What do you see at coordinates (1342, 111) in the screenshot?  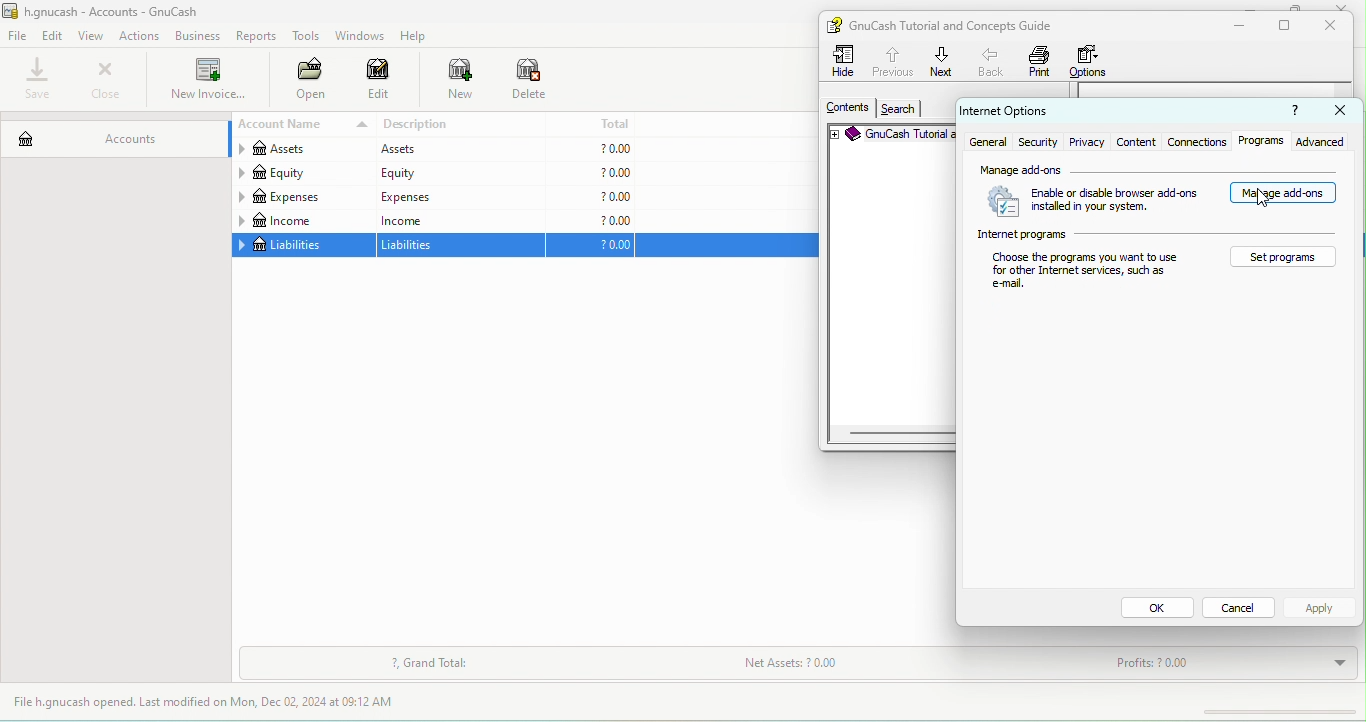 I see `close` at bounding box center [1342, 111].